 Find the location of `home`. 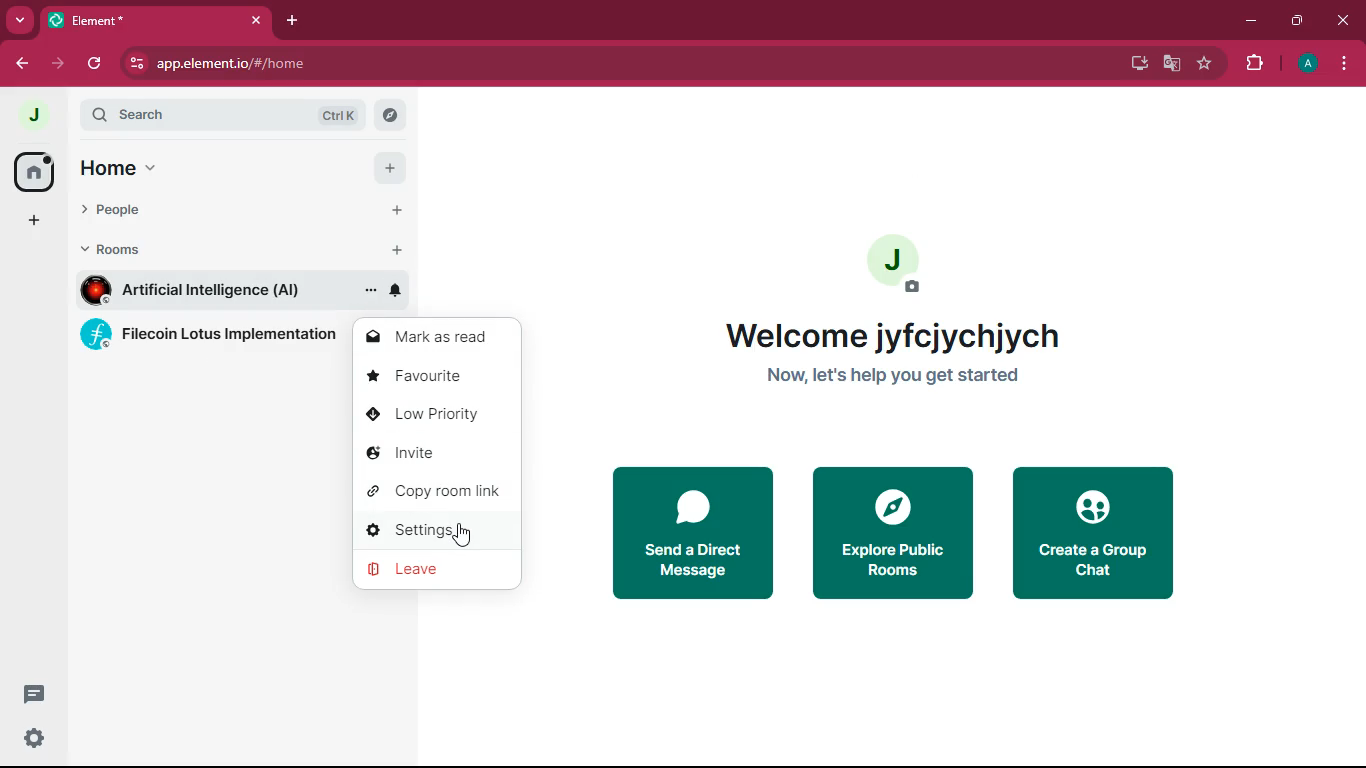

home is located at coordinates (125, 168).